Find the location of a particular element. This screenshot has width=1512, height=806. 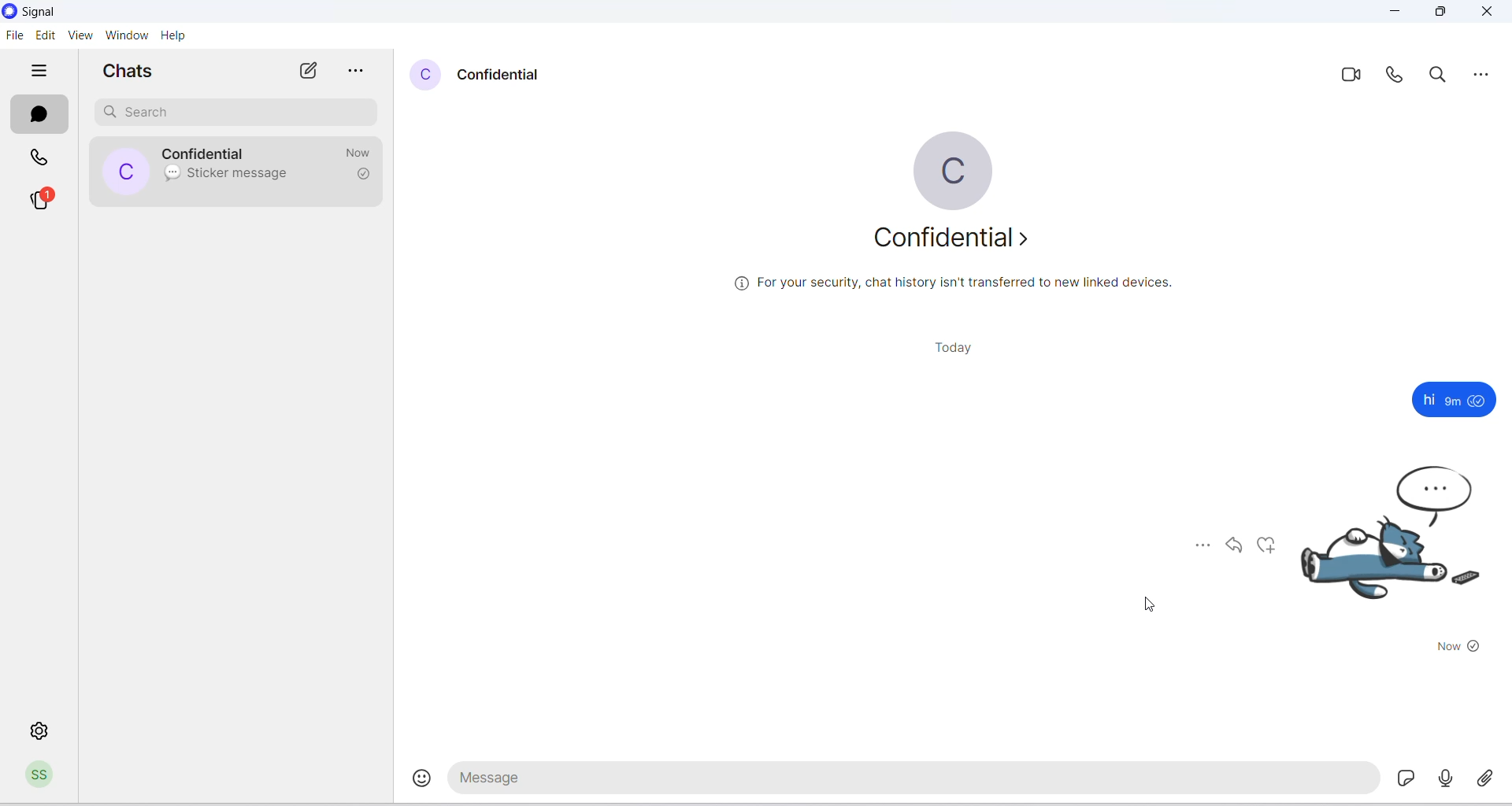

More options is located at coordinates (1487, 75).